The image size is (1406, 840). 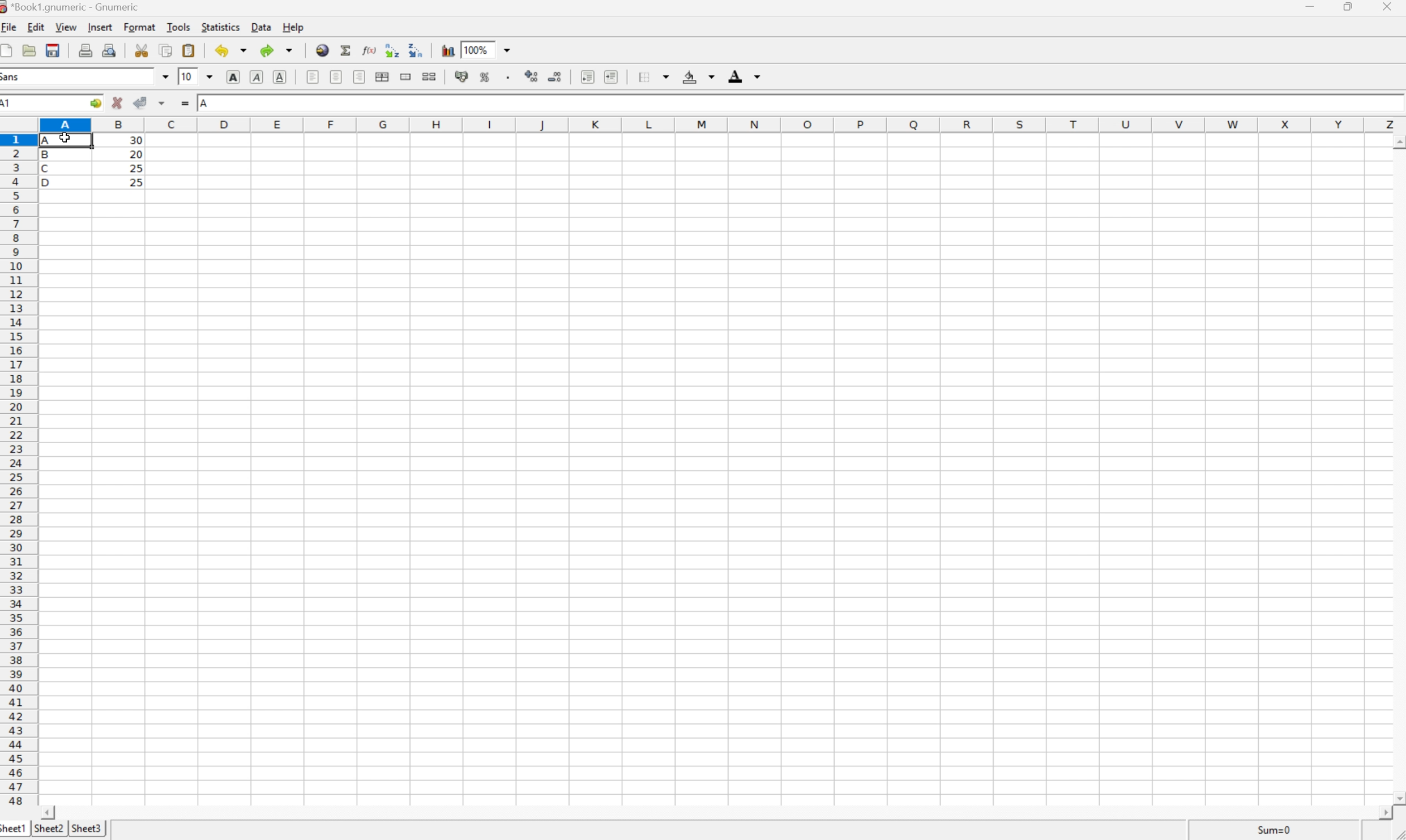 I want to click on Enter formula, so click(x=185, y=102).